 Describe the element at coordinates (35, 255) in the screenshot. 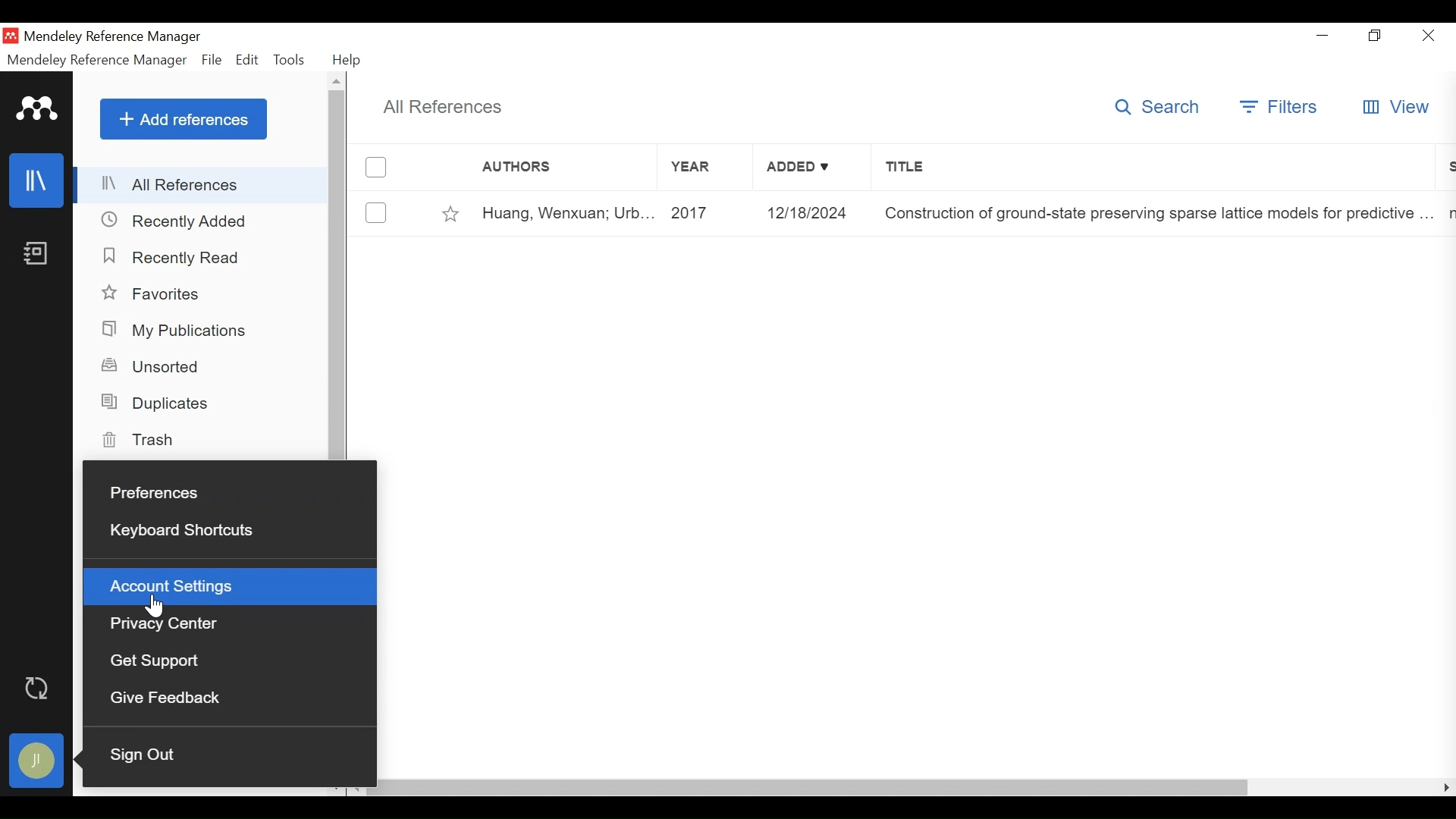

I see `Notebook` at that location.